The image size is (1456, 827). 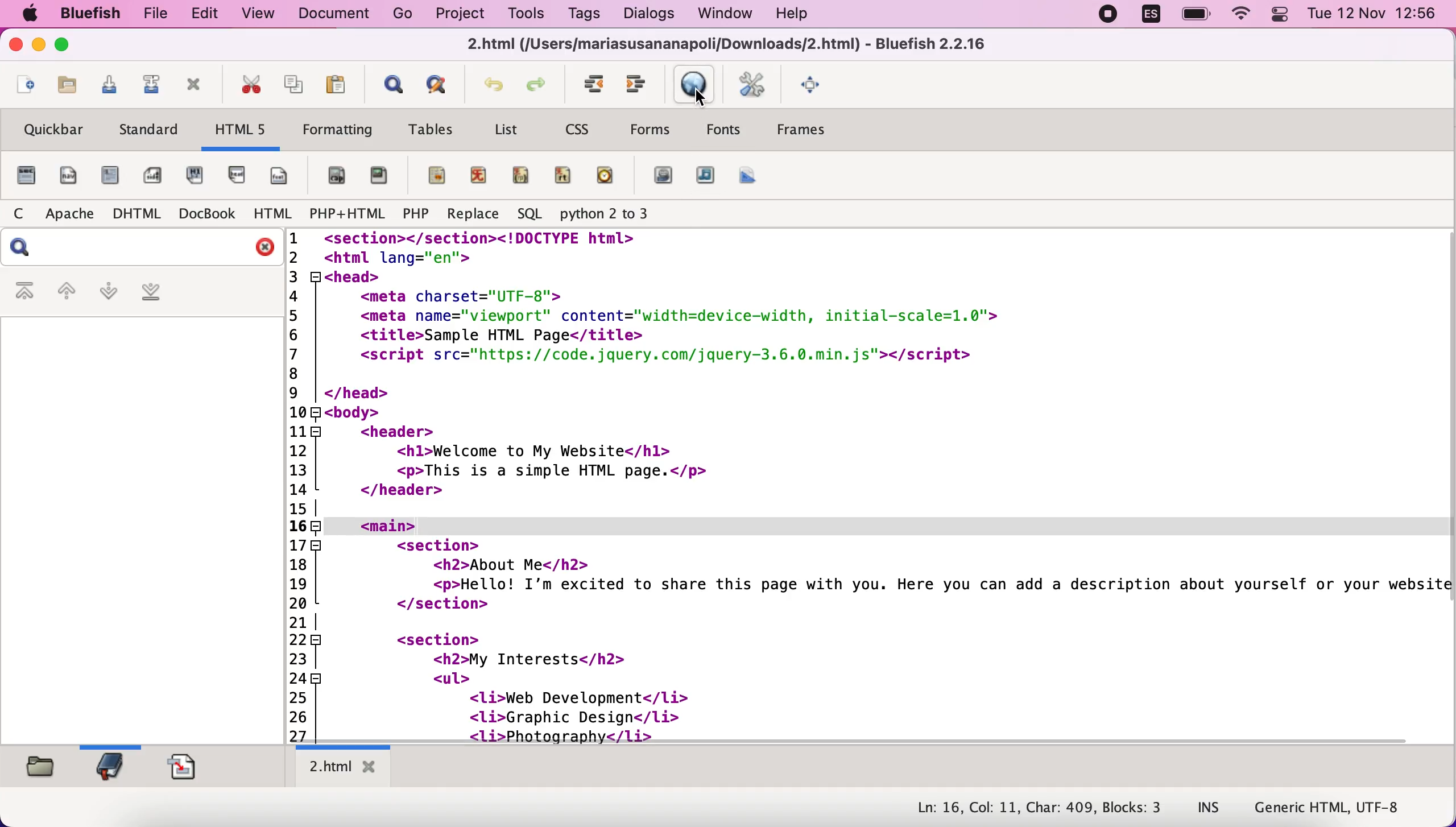 What do you see at coordinates (432, 175) in the screenshot?
I see `horizontal rule` at bounding box center [432, 175].